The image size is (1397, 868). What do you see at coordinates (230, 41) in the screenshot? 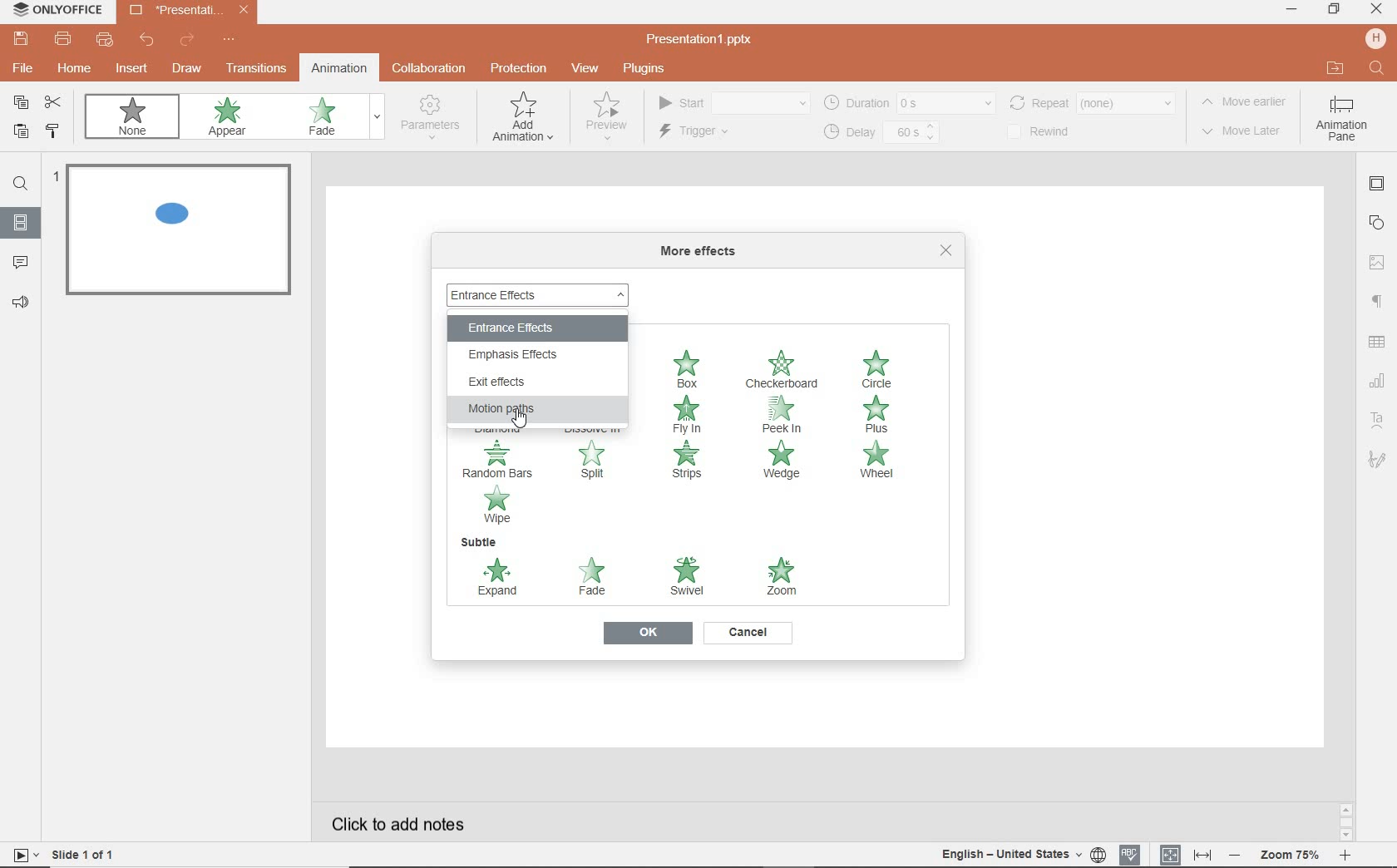
I see `customize quick access toolbar` at bounding box center [230, 41].